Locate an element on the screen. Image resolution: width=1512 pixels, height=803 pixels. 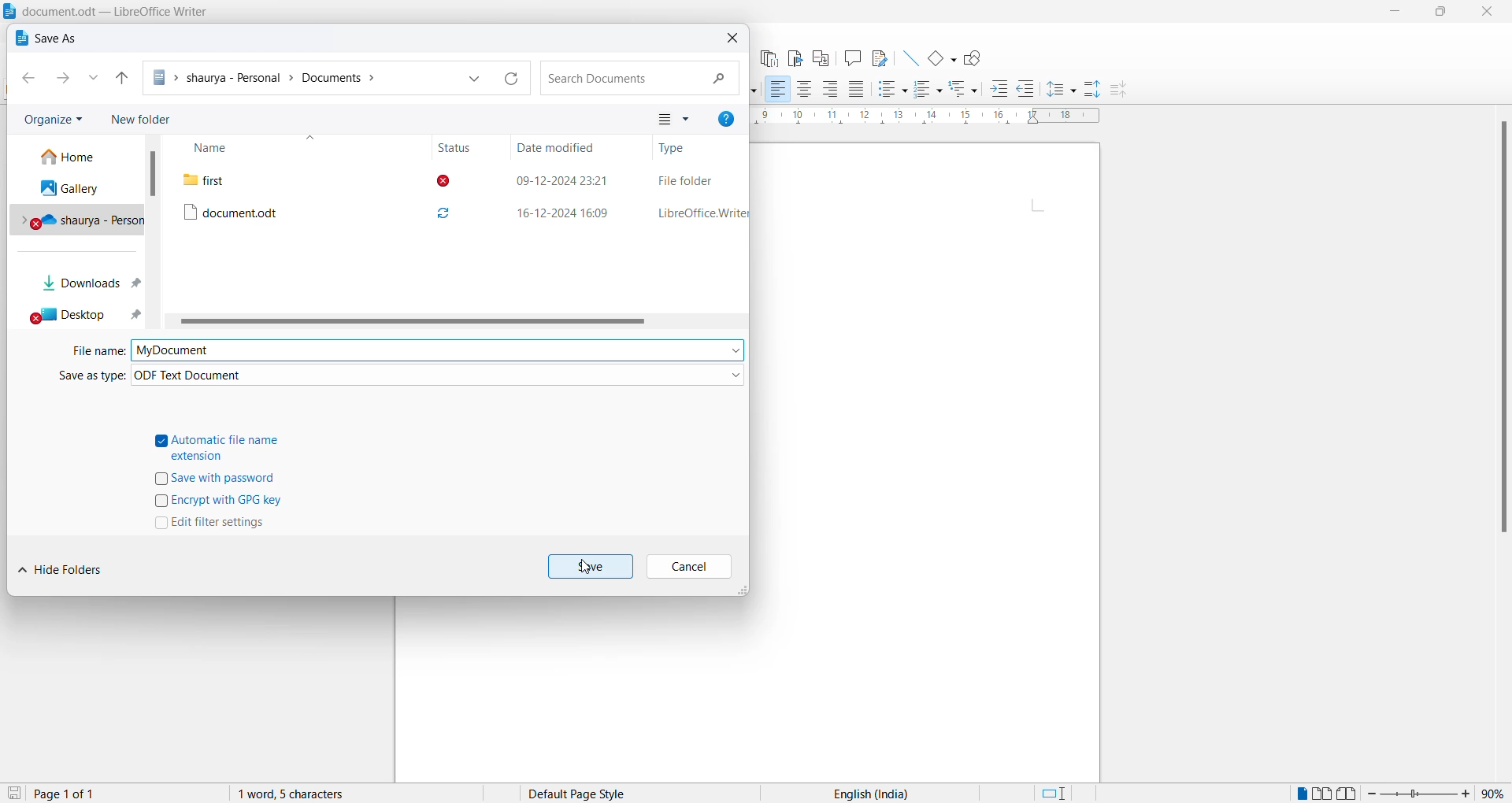
document.odt - libreoffice writer is located at coordinates (108, 11).